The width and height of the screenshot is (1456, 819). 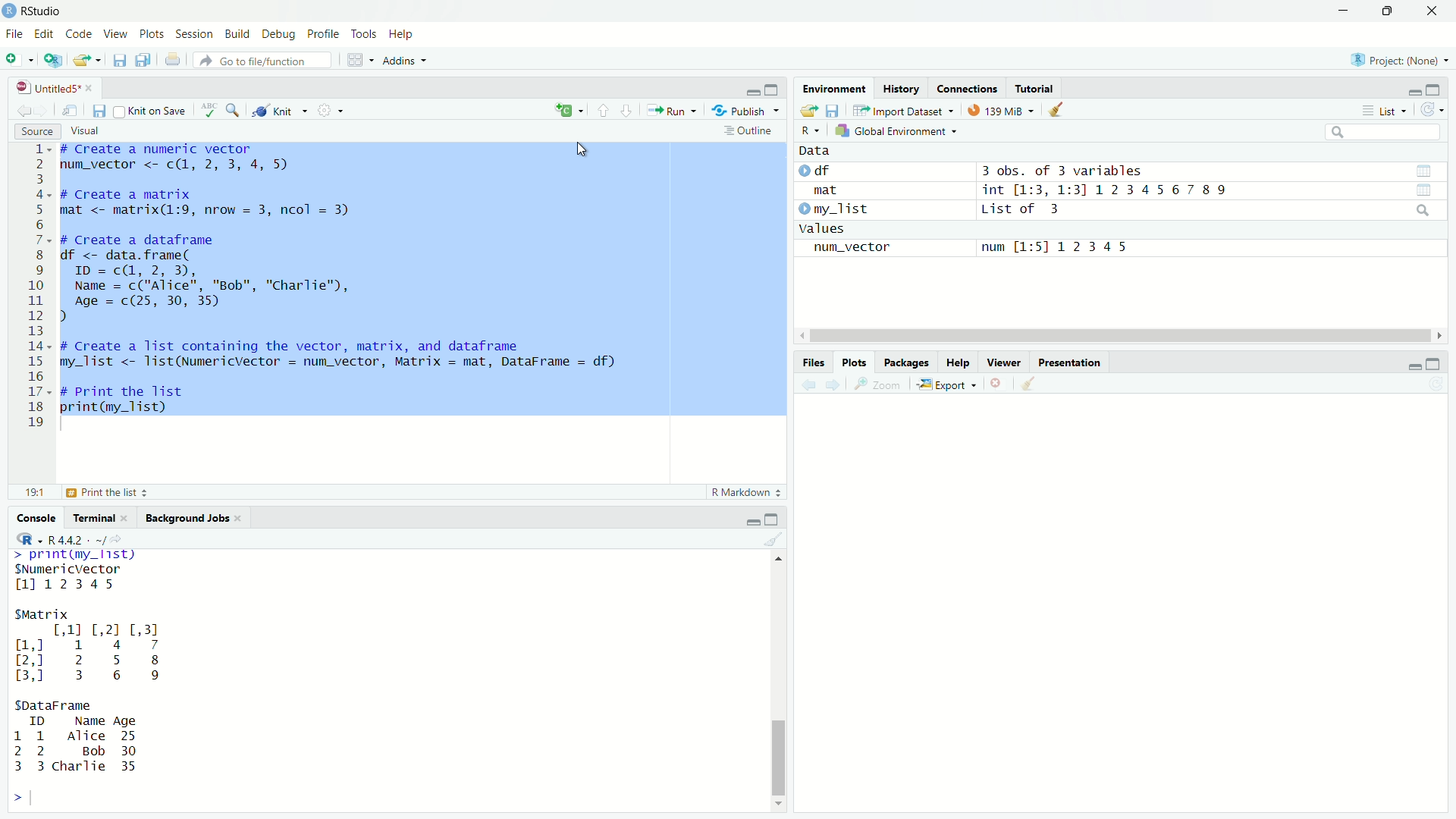 I want to click on minimise, so click(x=751, y=519).